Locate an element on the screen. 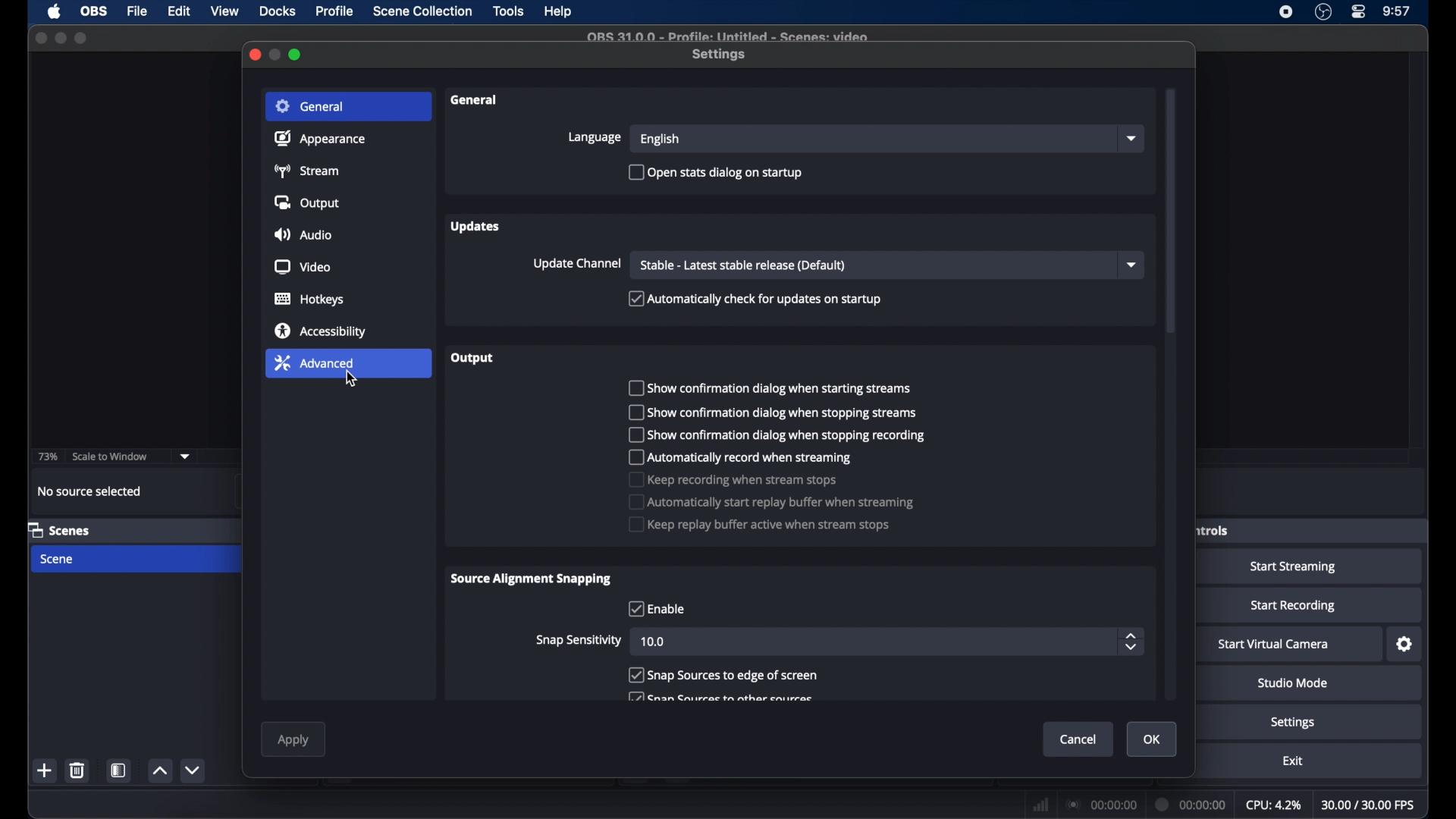  apple icon is located at coordinates (56, 11).